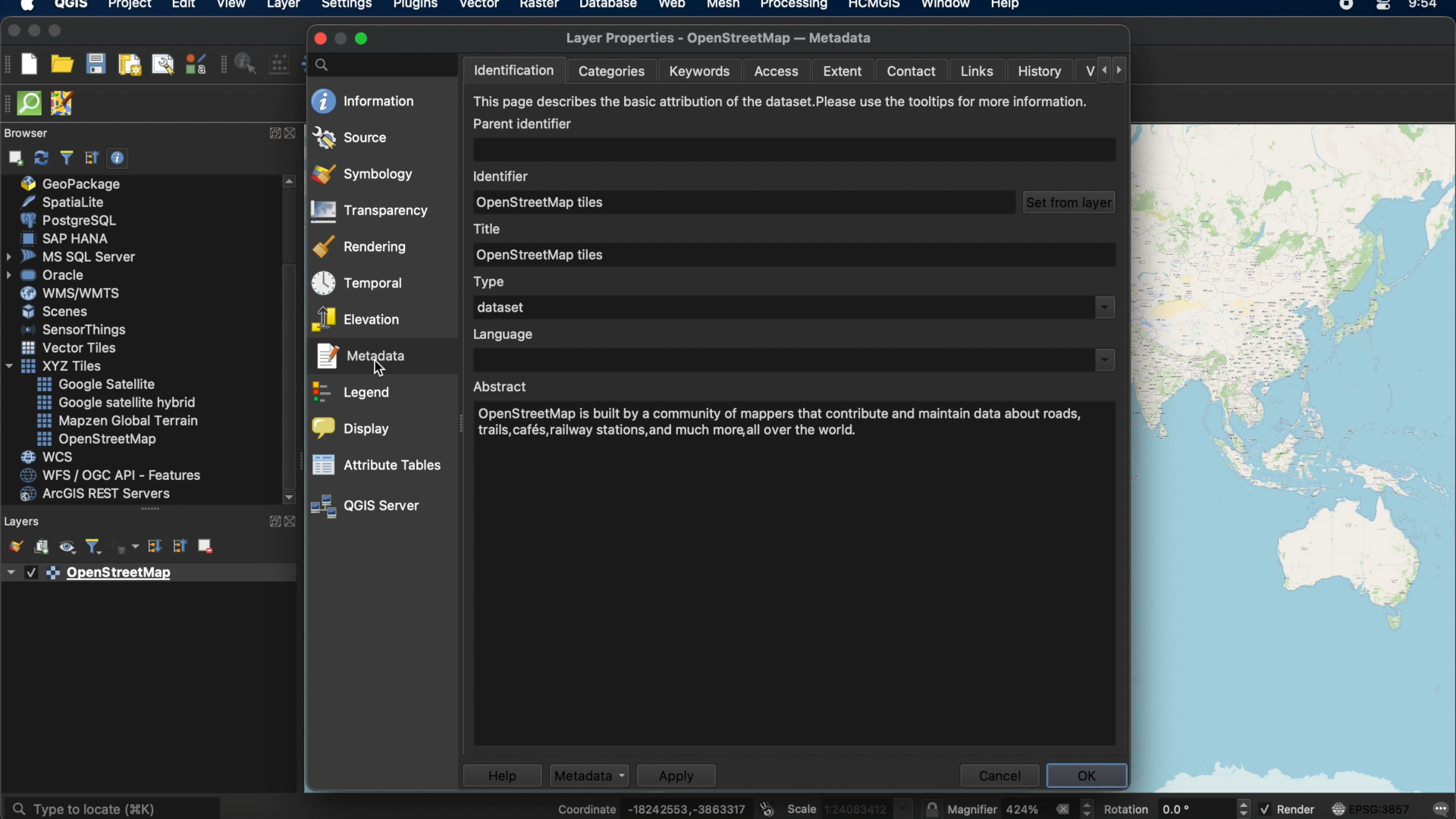 Image resolution: width=1456 pixels, height=819 pixels. Describe the element at coordinates (11, 31) in the screenshot. I see `close` at that location.